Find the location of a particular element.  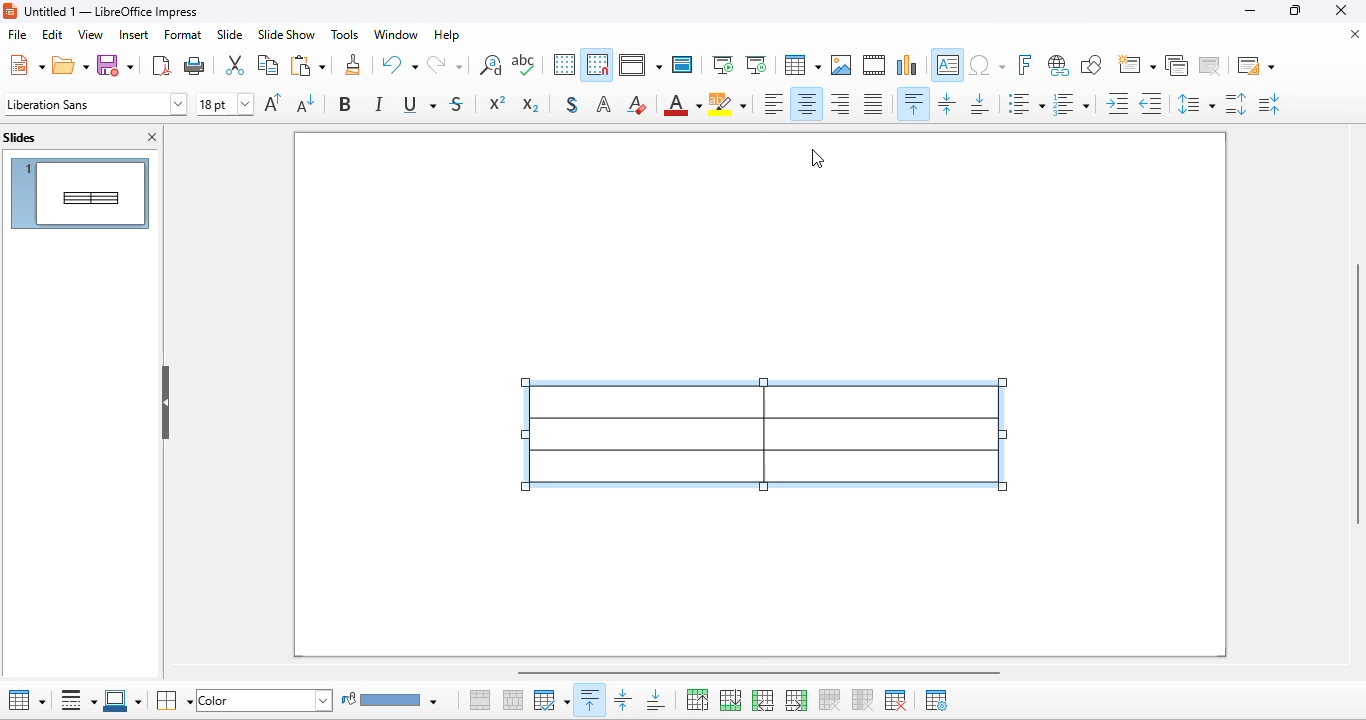

insert text box is located at coordinates (949, 65).